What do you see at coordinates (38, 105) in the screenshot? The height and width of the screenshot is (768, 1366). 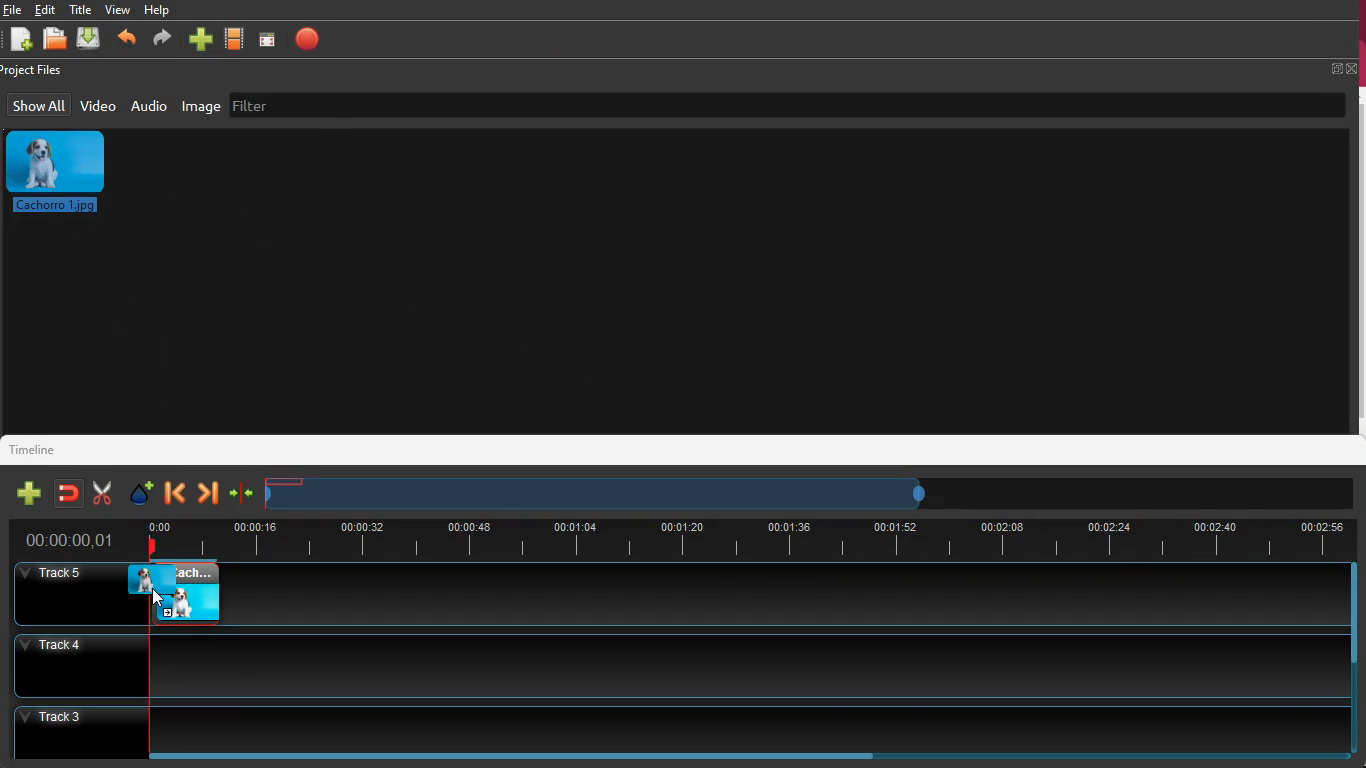 I see `show all` at bounding box center [38, 105].